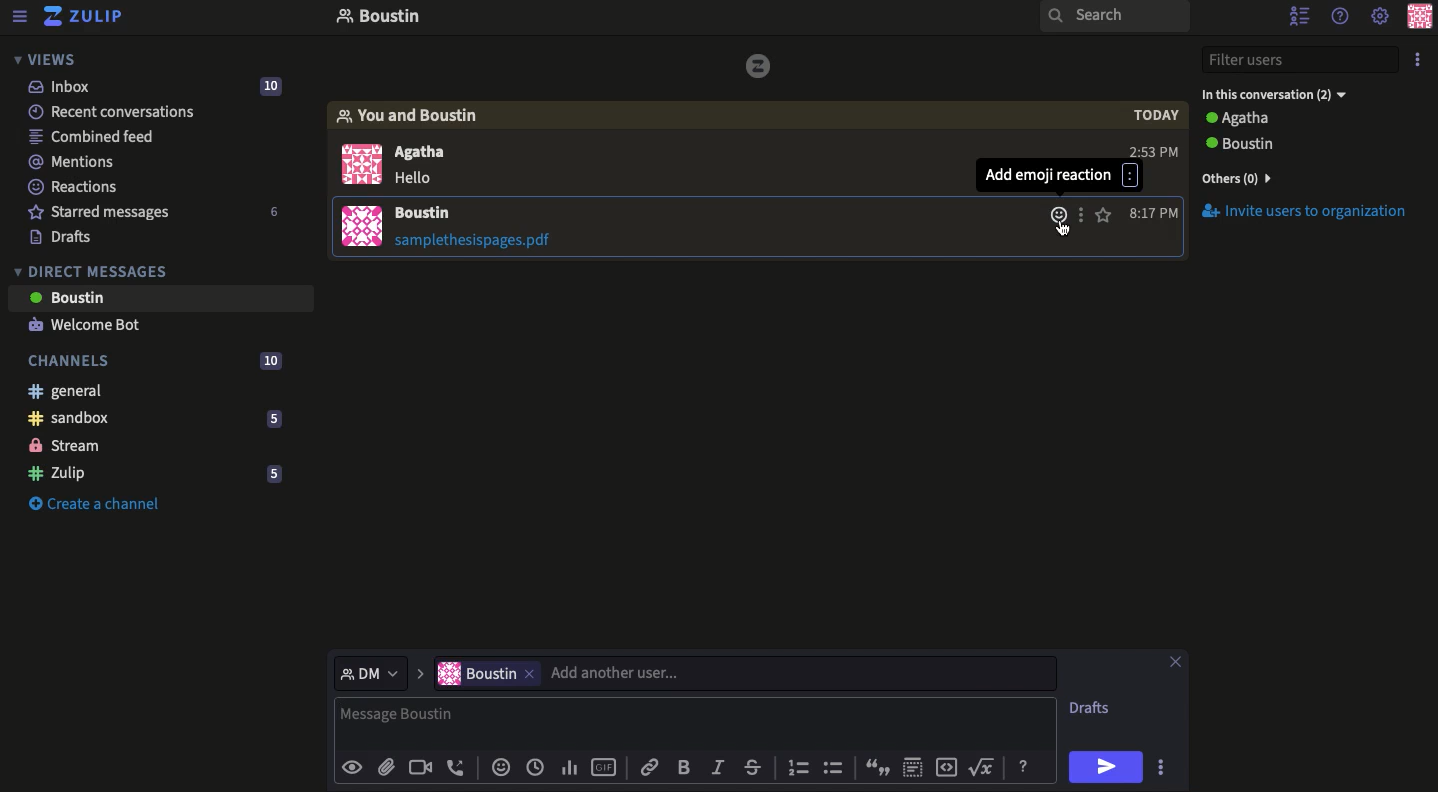  I want to click on Time, so click(1154, 212).